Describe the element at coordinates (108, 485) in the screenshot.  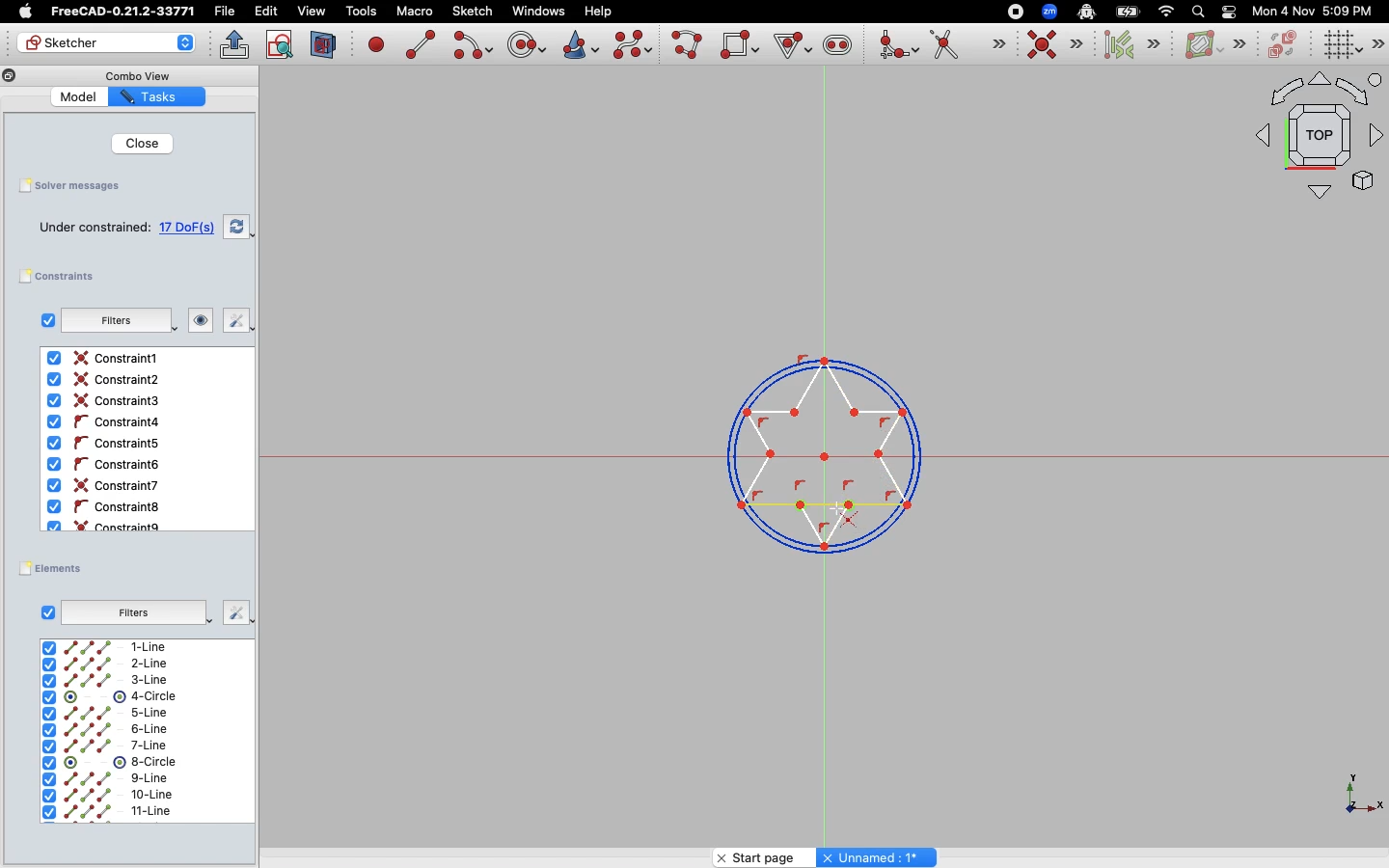
I see `Constraint6` at that location.